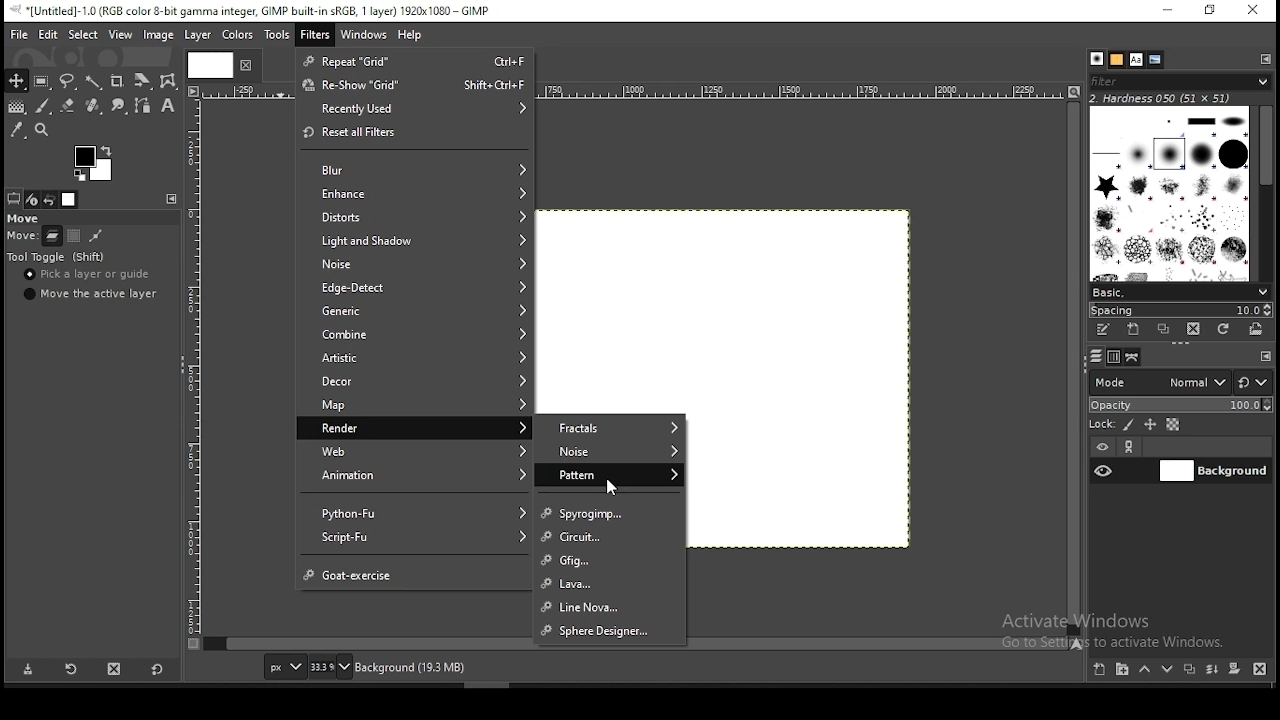 The width and height of the screenshot is (1280, 720). I want to click on windows, so click(364, 36).